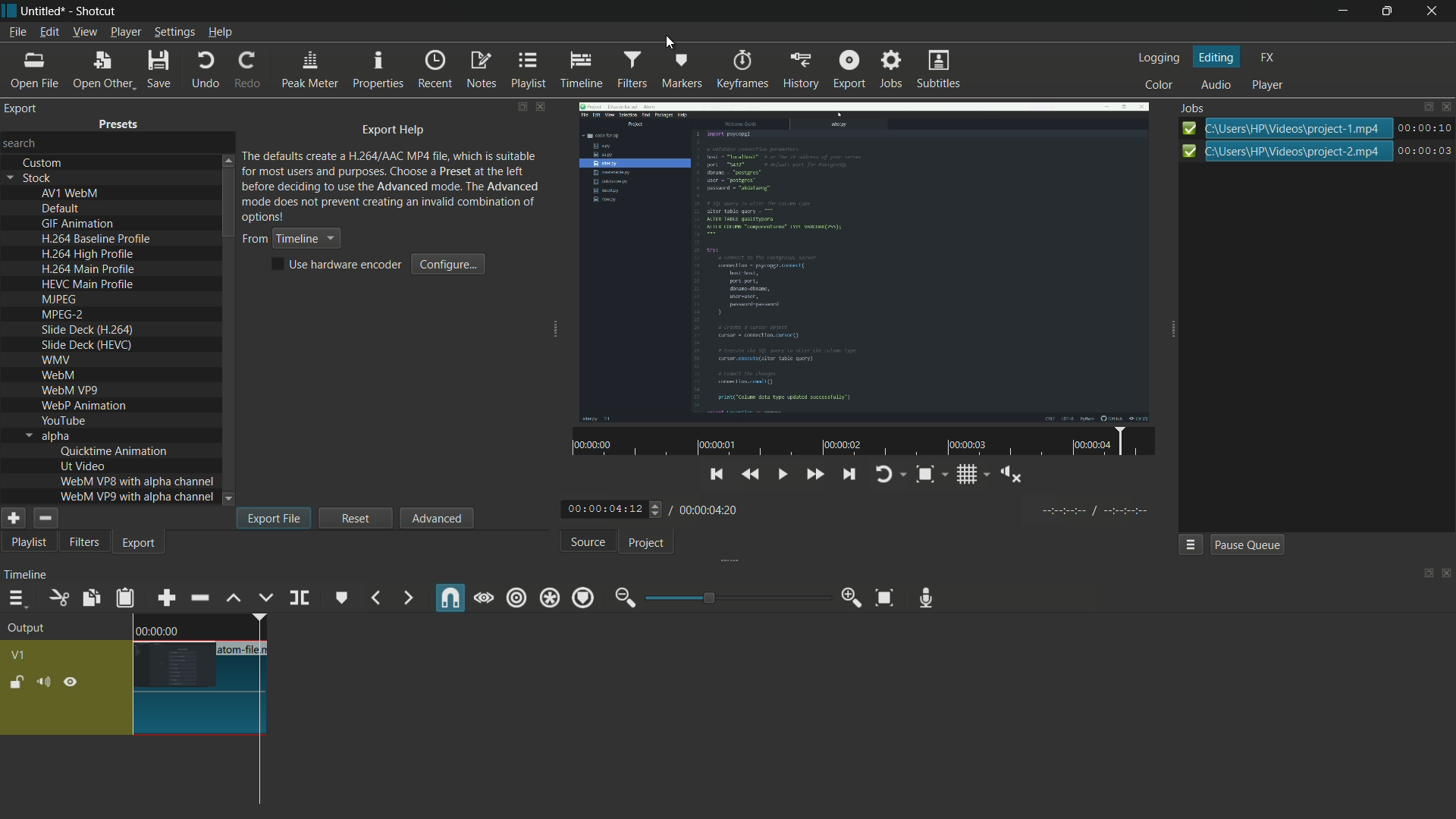 This screenshot has width=1456, height=819. I want to click on timeline dropdown, so click(290, 239).